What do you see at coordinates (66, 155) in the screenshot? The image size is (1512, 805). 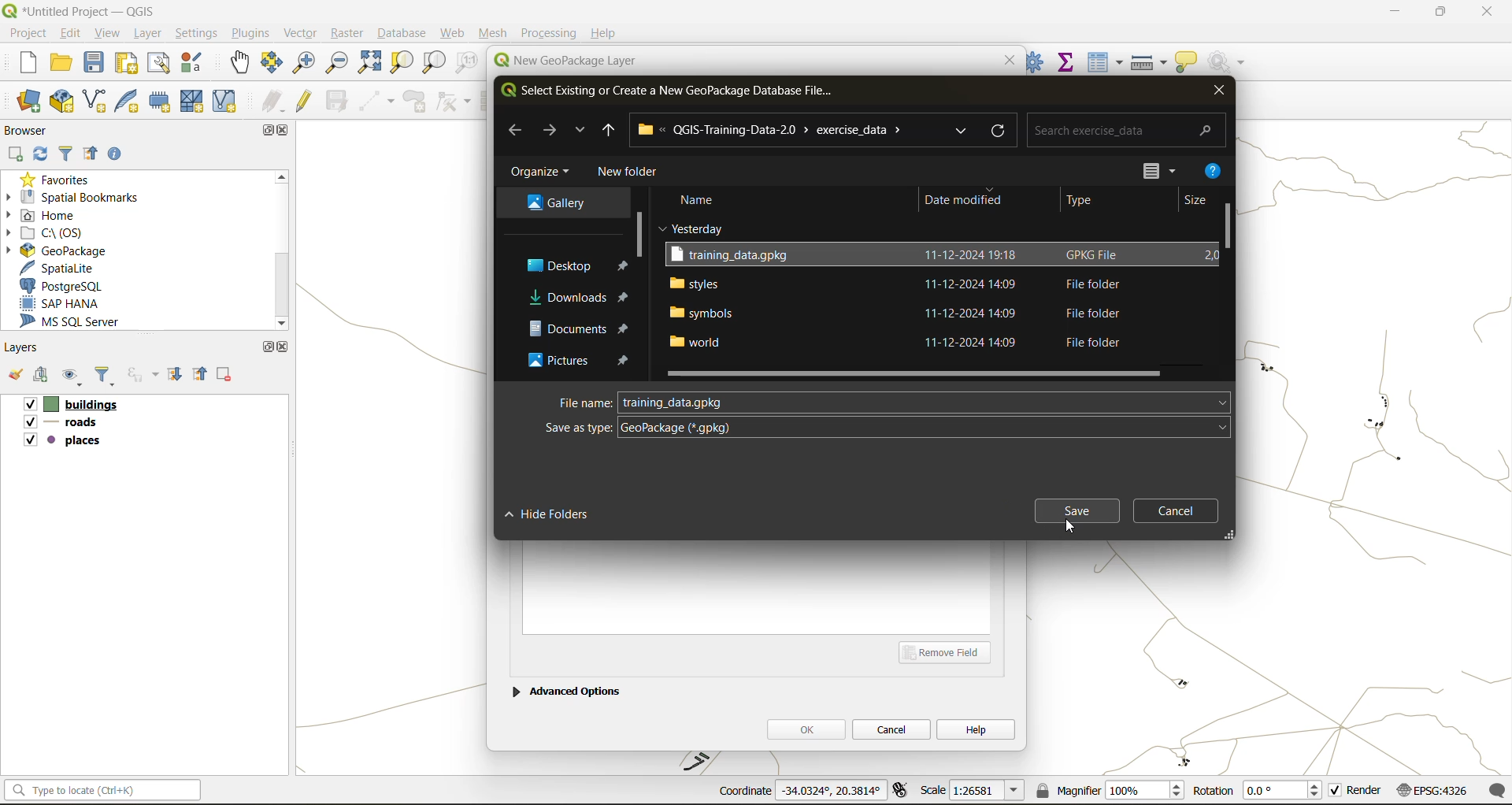 I see `filter` at bounding box center [66, 155].